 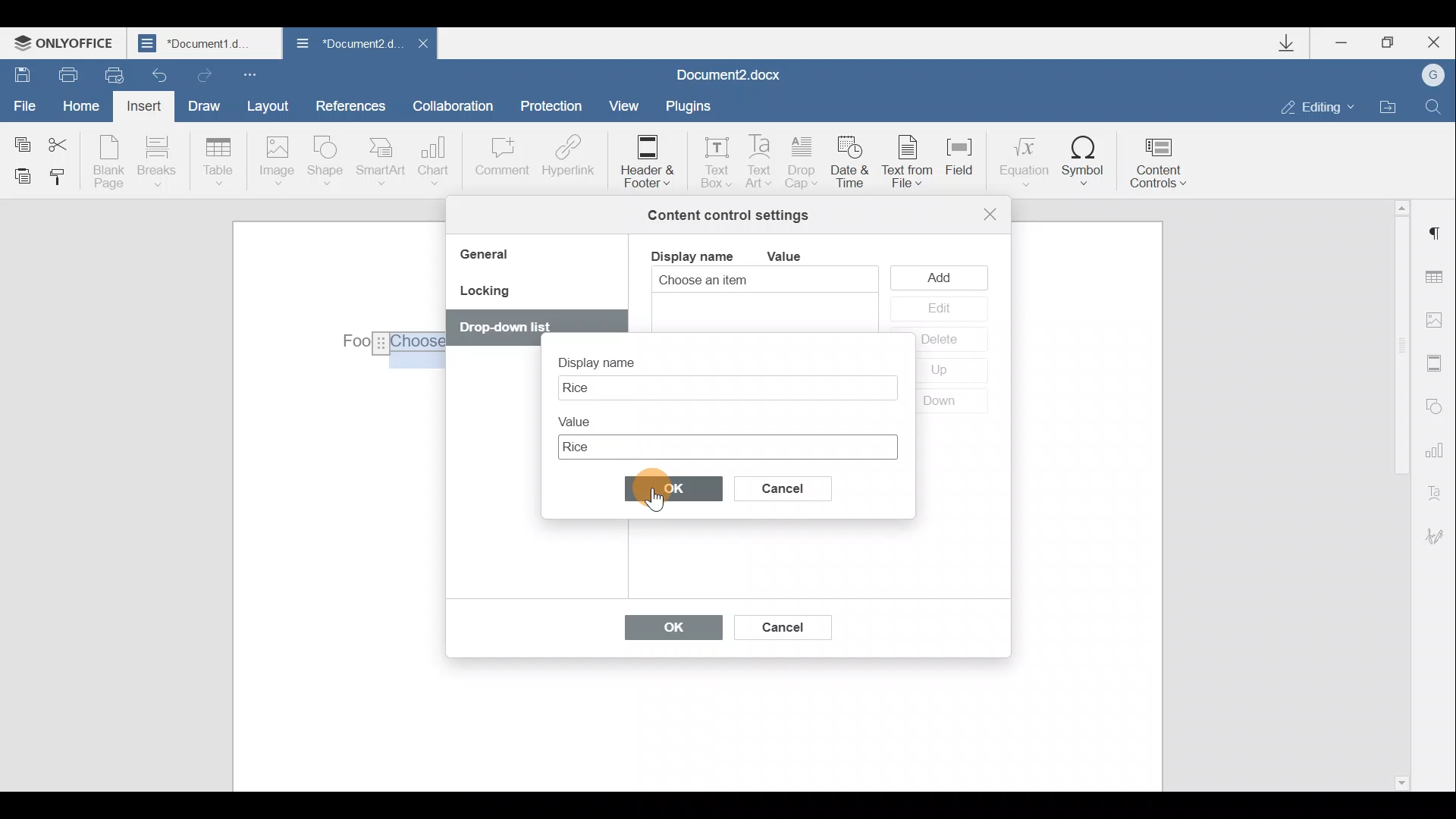 What do you see at coordinates (484, 296) in the screenshot?
I see `Locking` at bounding box center [484, 296].